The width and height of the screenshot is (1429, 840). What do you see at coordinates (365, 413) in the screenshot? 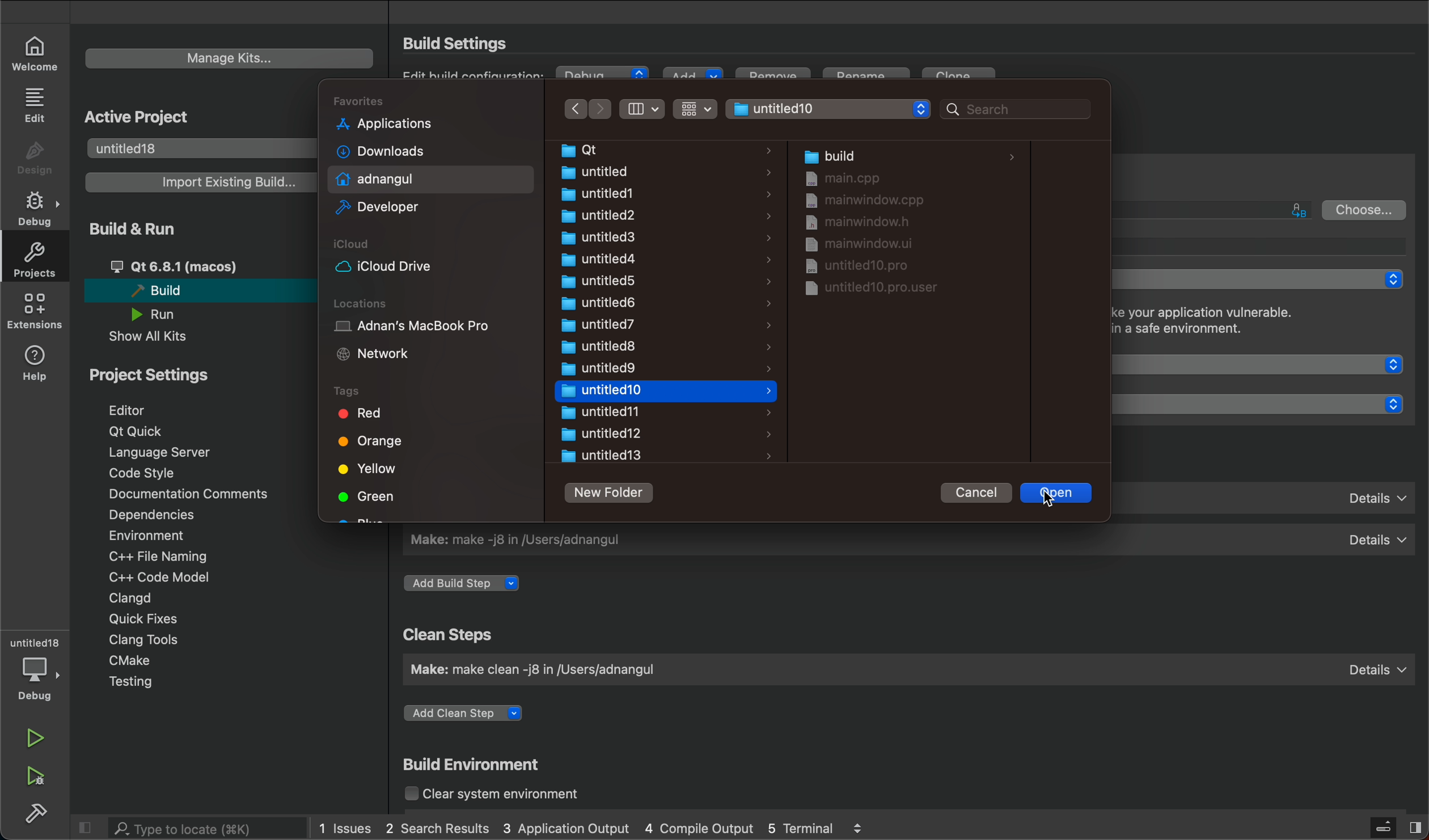
I see `Red` at bounding box center [365, 413].